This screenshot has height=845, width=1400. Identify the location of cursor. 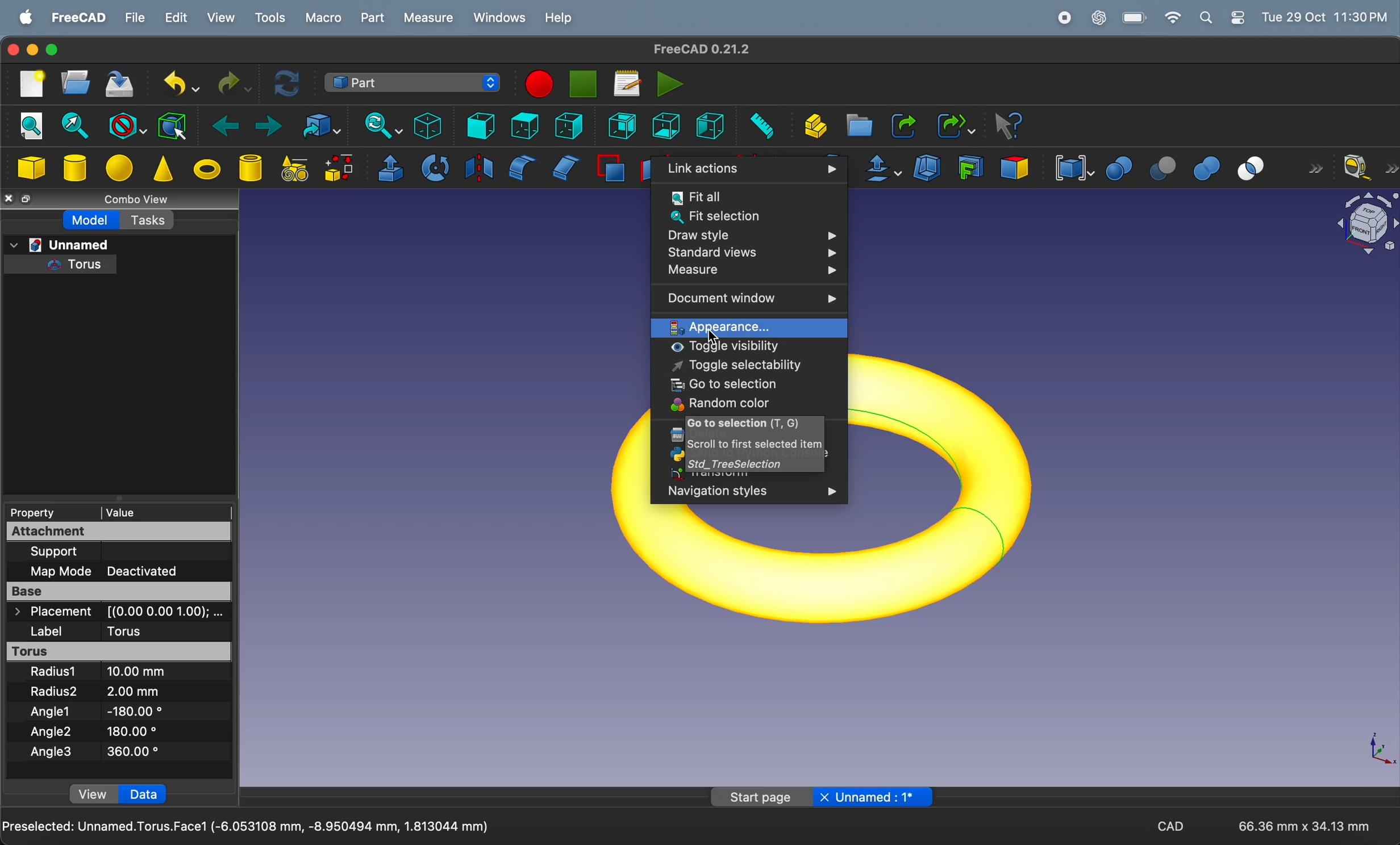
(715, 337).